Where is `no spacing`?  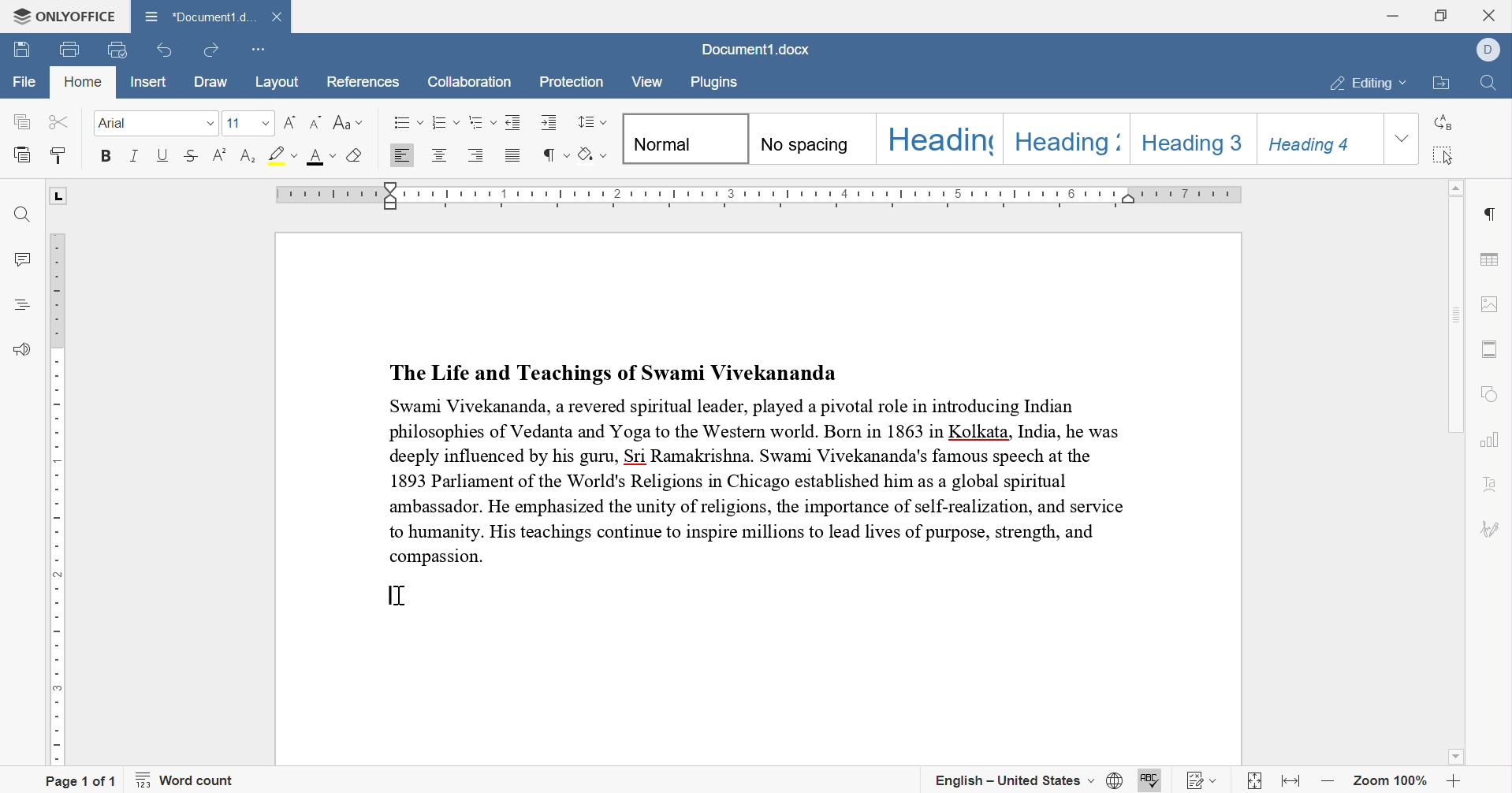 no spacing is located at coordinates (810, 139).